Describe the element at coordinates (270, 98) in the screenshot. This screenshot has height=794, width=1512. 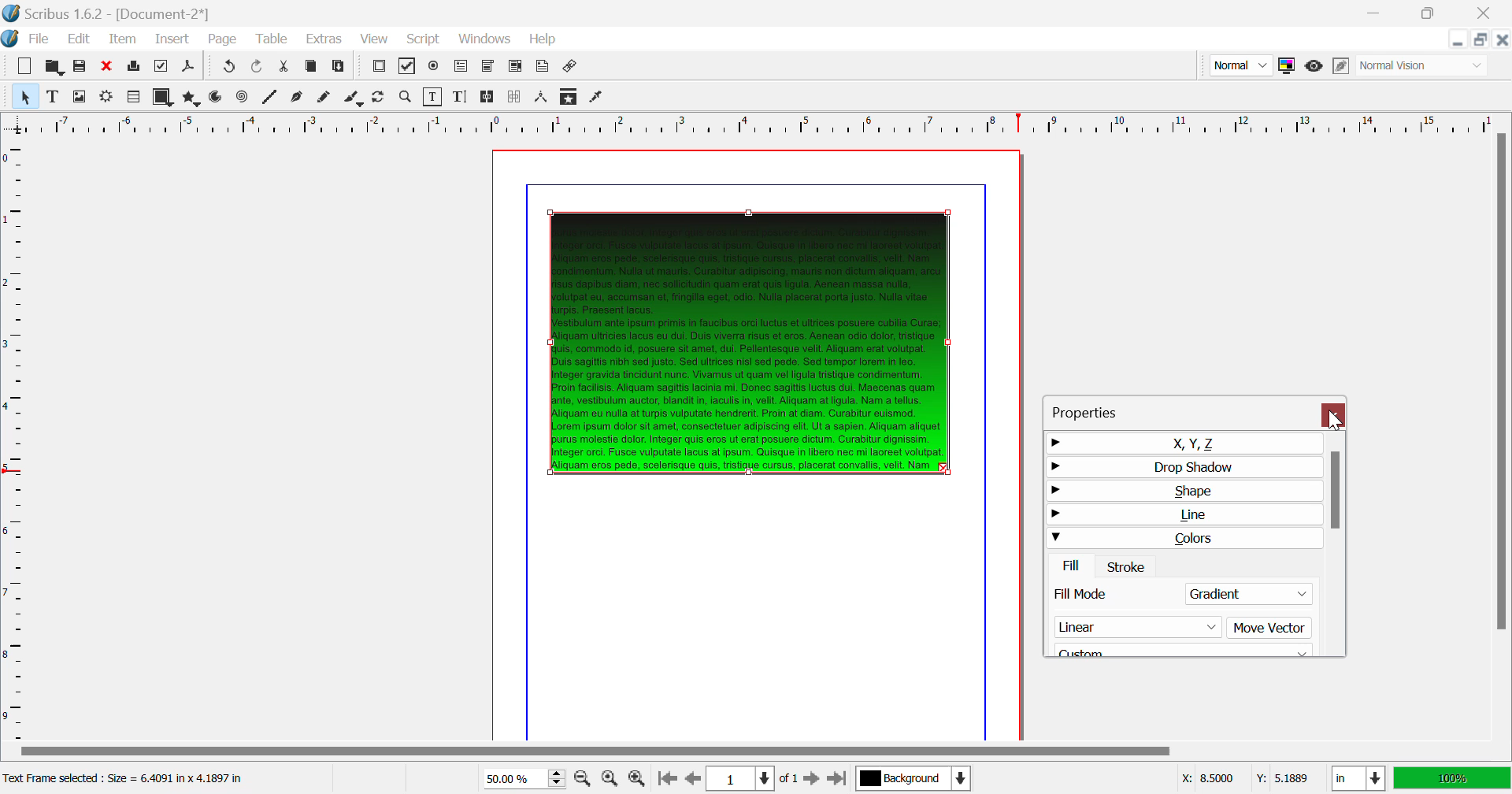
I see `Line` at that location.